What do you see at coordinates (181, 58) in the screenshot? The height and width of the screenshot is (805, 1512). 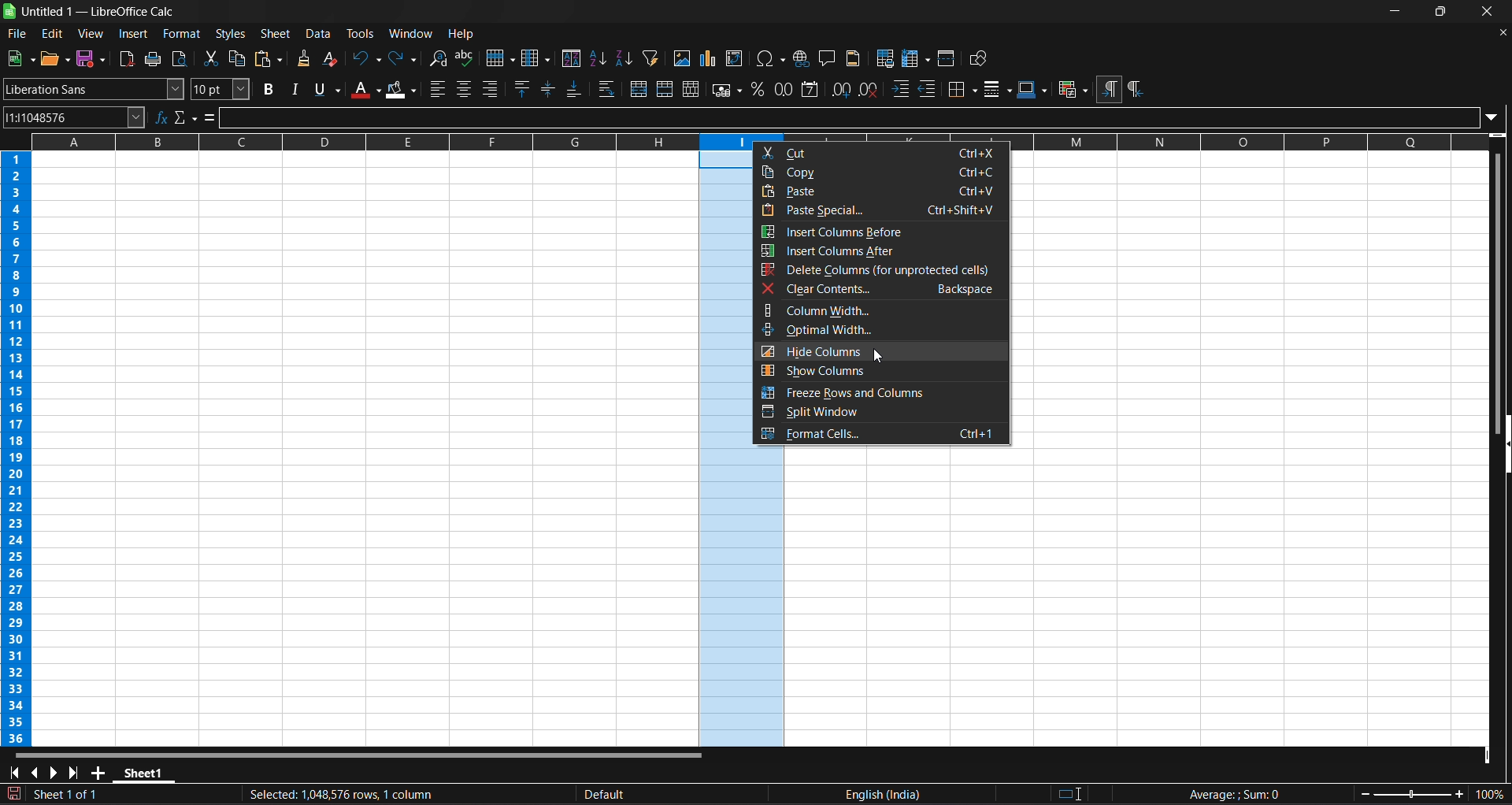 I see `toggle print preview` at bounding box center [181, 58].